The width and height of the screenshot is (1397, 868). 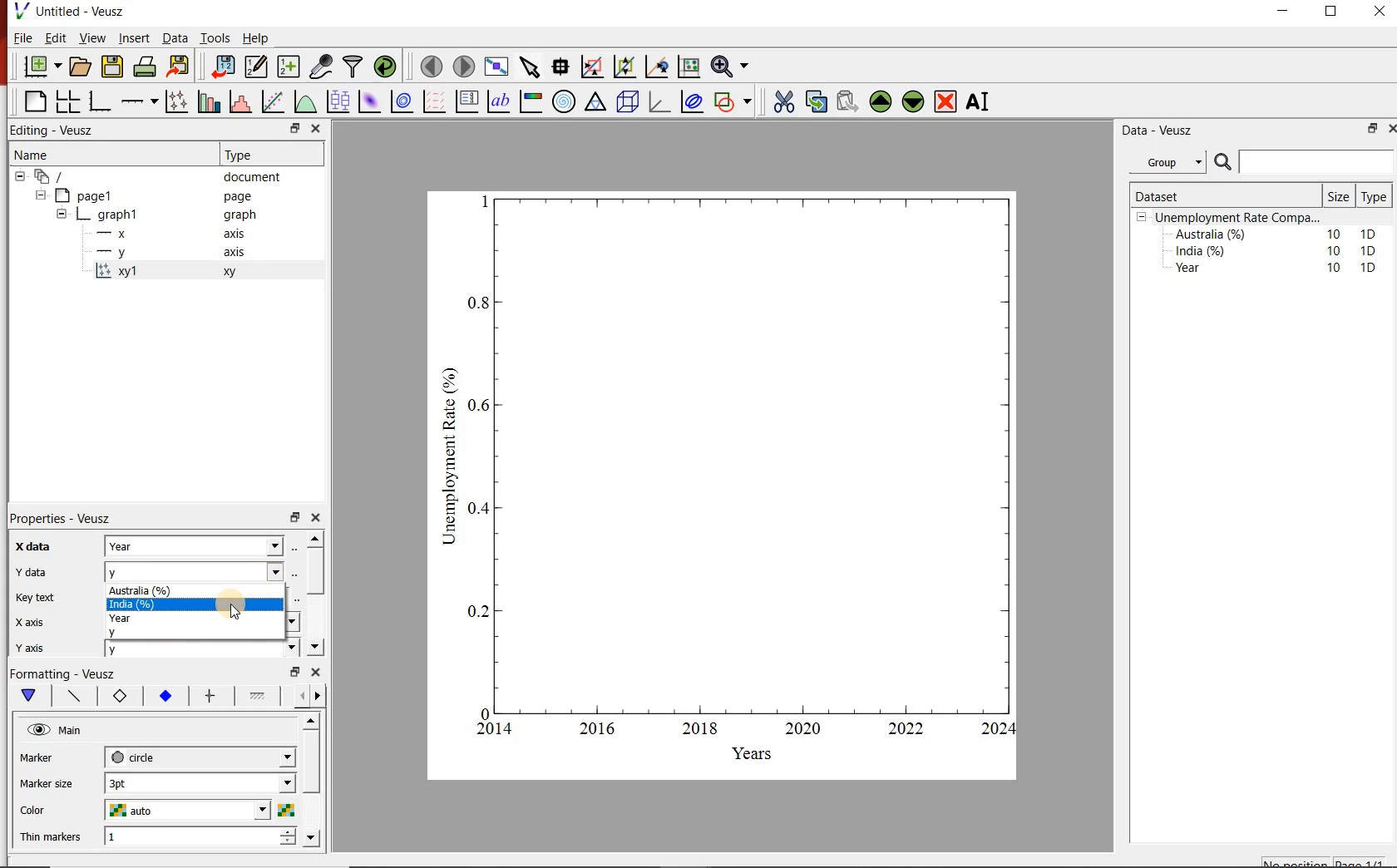 What do you see at coordinates (723, 486) in the screenshot?
I see `graph chart` at bounding box center [723, 486].